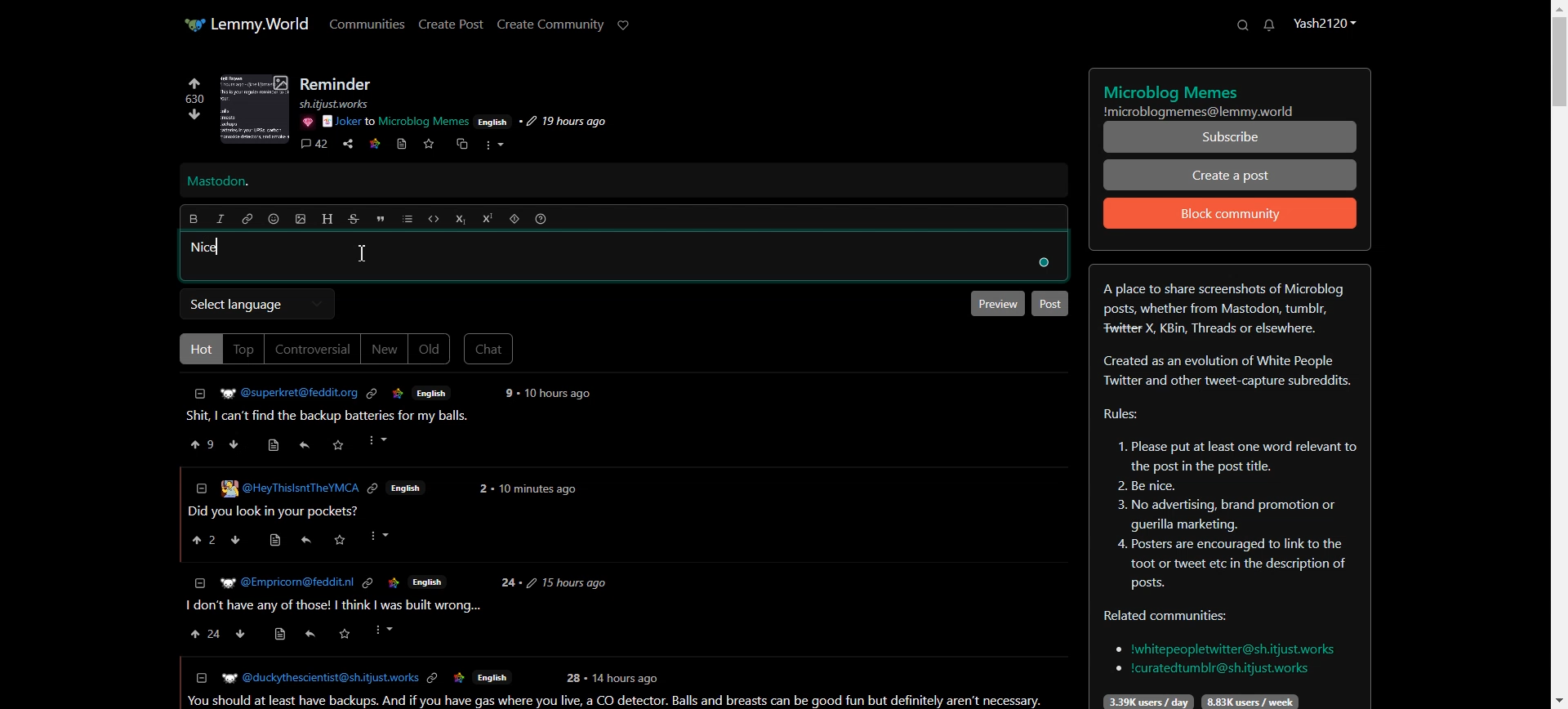  What do you see at coordinates (198, 348) in the screenshot?
I see `Hot` at bounding box center [198, 348].